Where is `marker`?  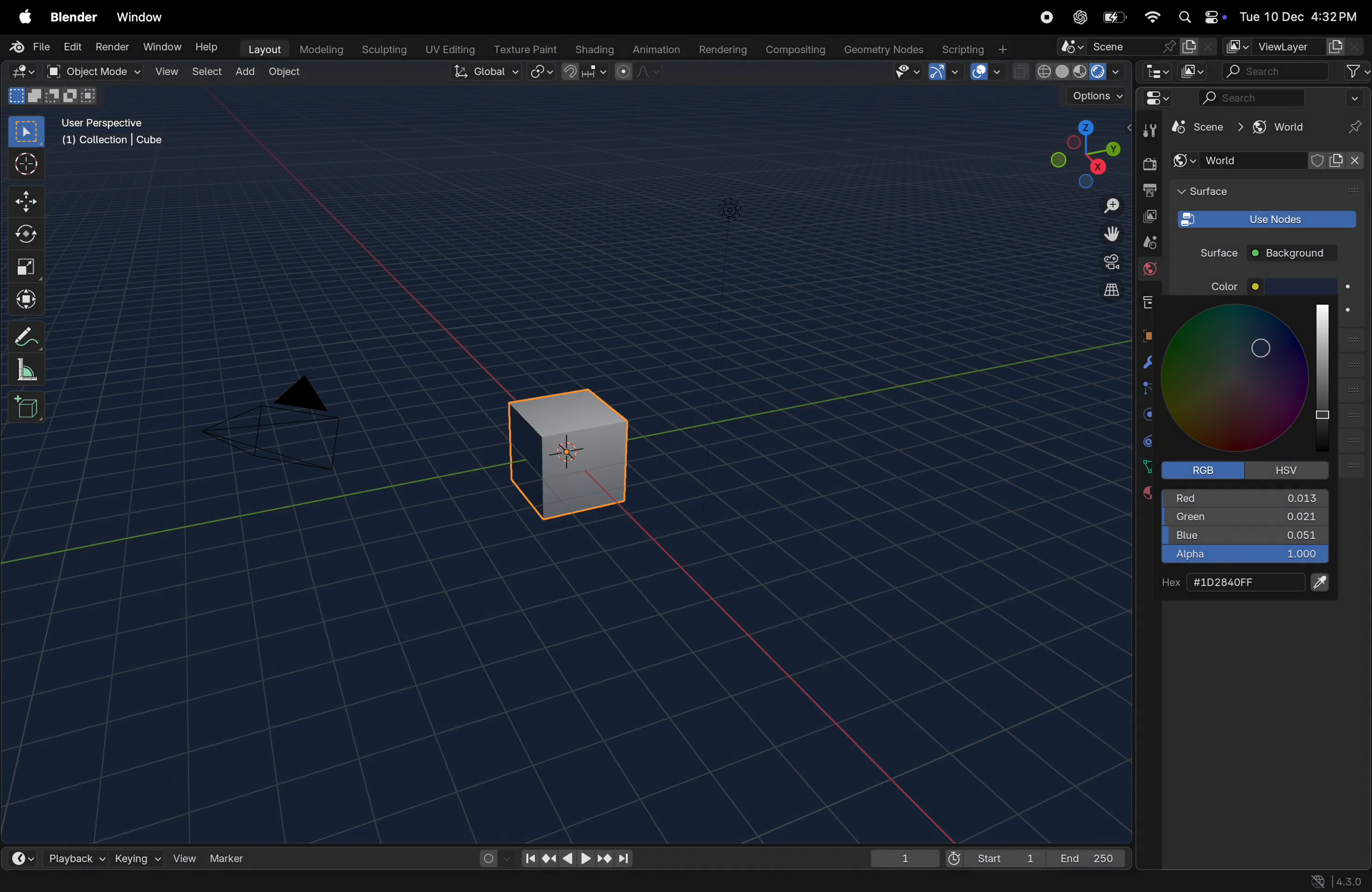 marker is located at coordinates (233, 857).